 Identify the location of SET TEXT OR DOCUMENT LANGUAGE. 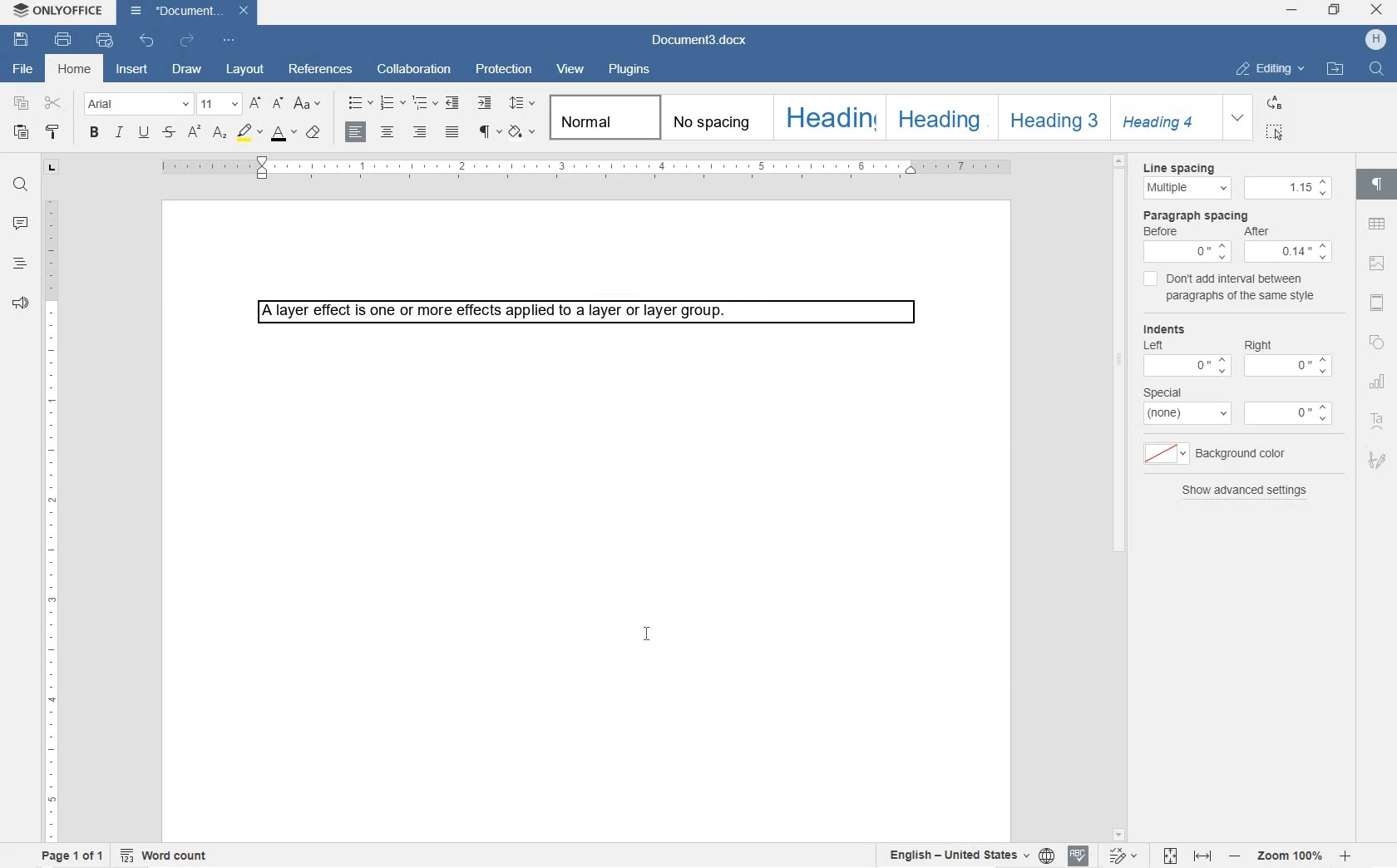
(970, 856).